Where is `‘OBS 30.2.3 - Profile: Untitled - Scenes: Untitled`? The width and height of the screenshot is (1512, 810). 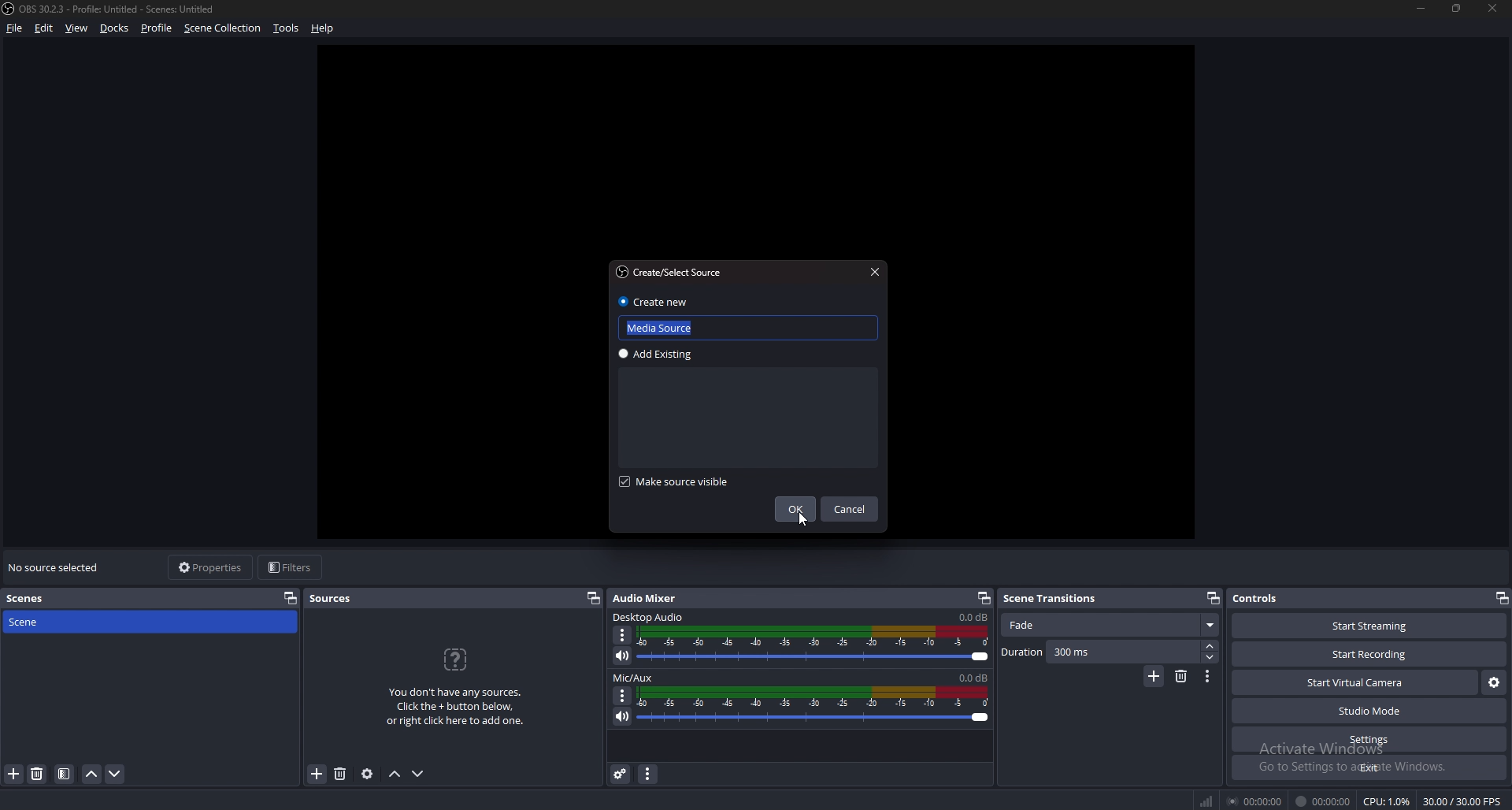
‘OBS 30.2.3 - Profile: Untitled - Scenes: Untitled is located at coordinates (120, 9).